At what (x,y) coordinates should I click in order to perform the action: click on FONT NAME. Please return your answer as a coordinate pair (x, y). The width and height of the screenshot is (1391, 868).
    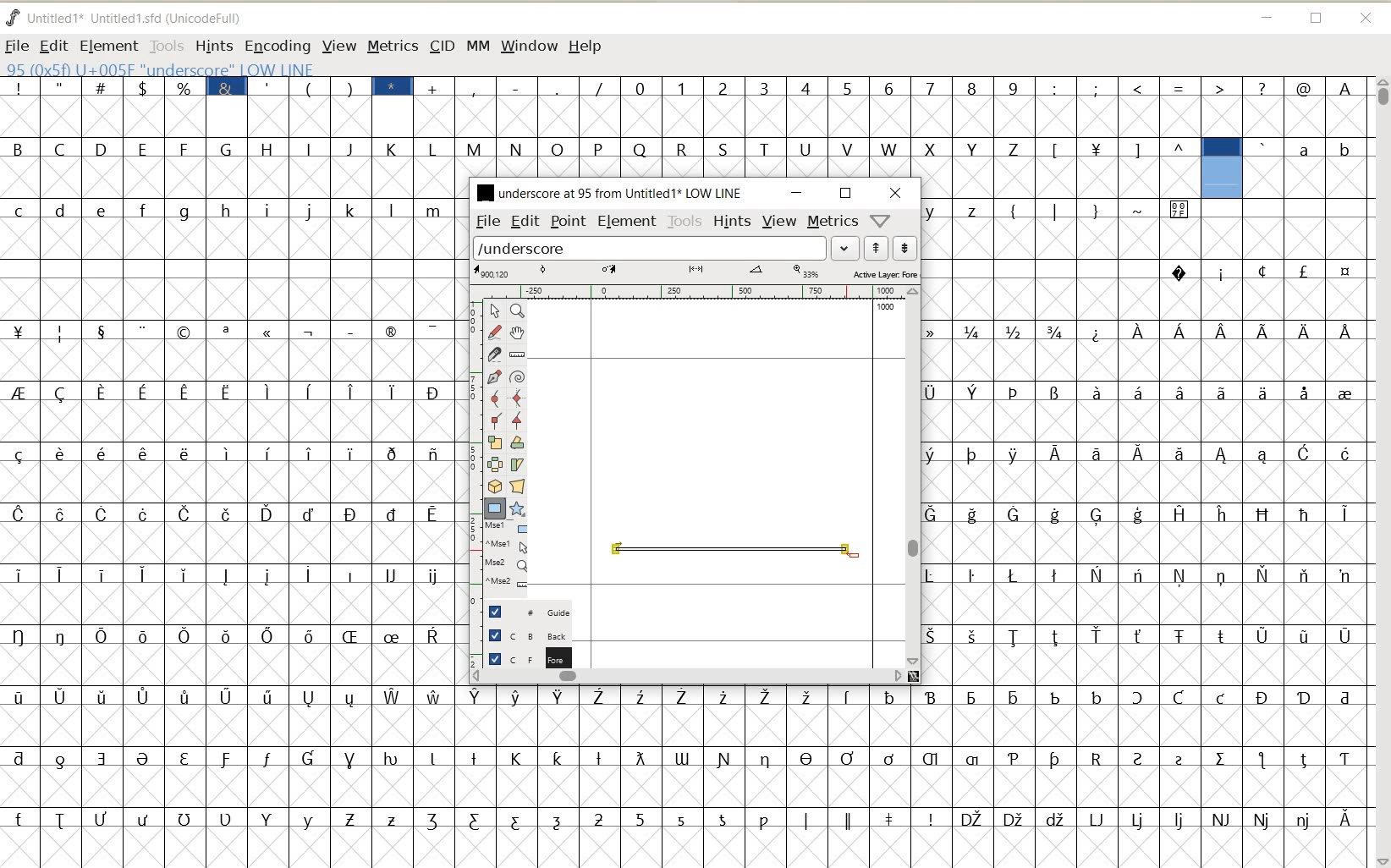
    Looking at the image, I should click on (608, 192).